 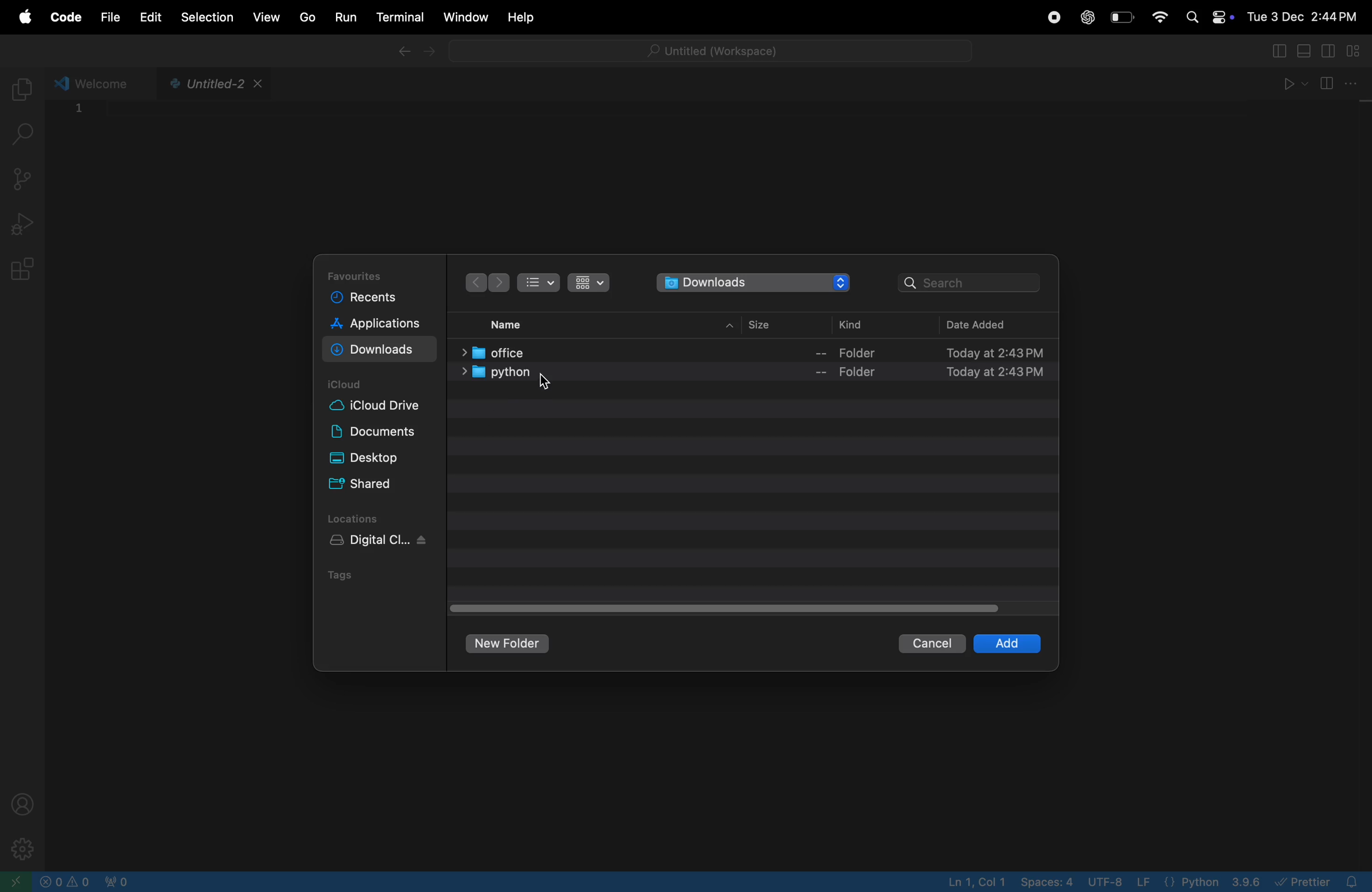 I want to click on window, so click(x=464, y=16).